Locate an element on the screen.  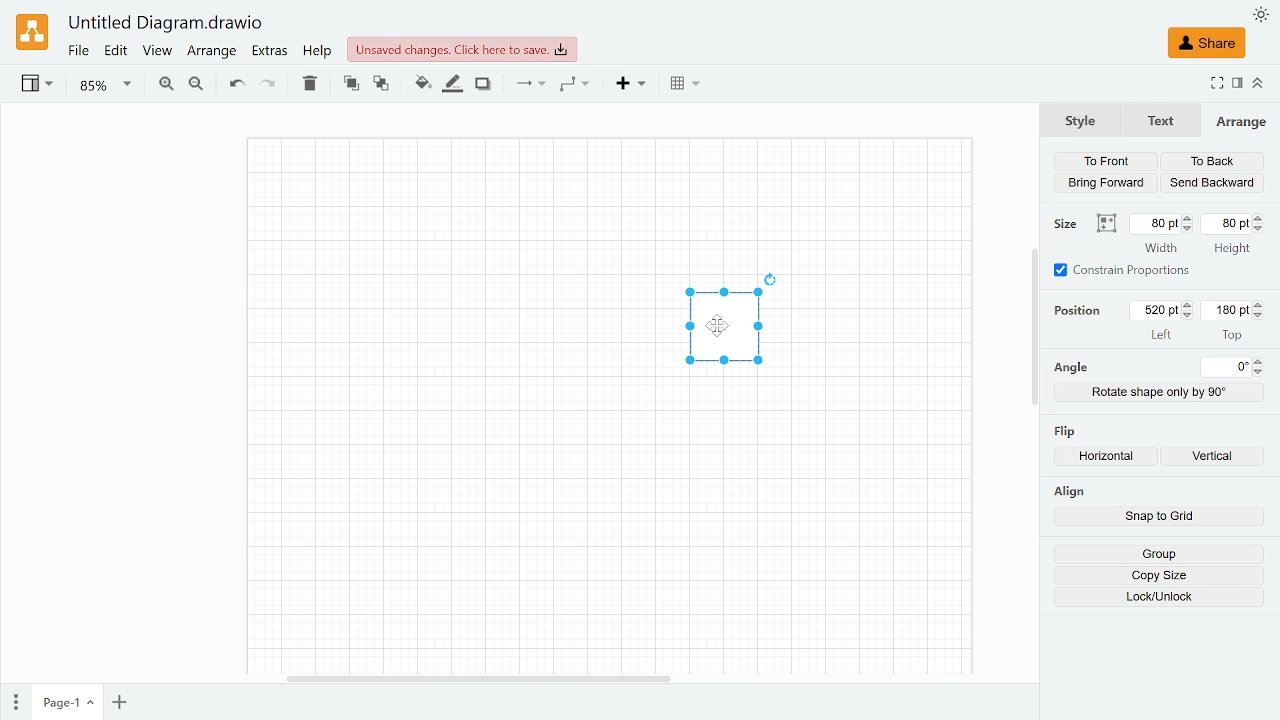
Fill line is located at coordinates (454, 84).